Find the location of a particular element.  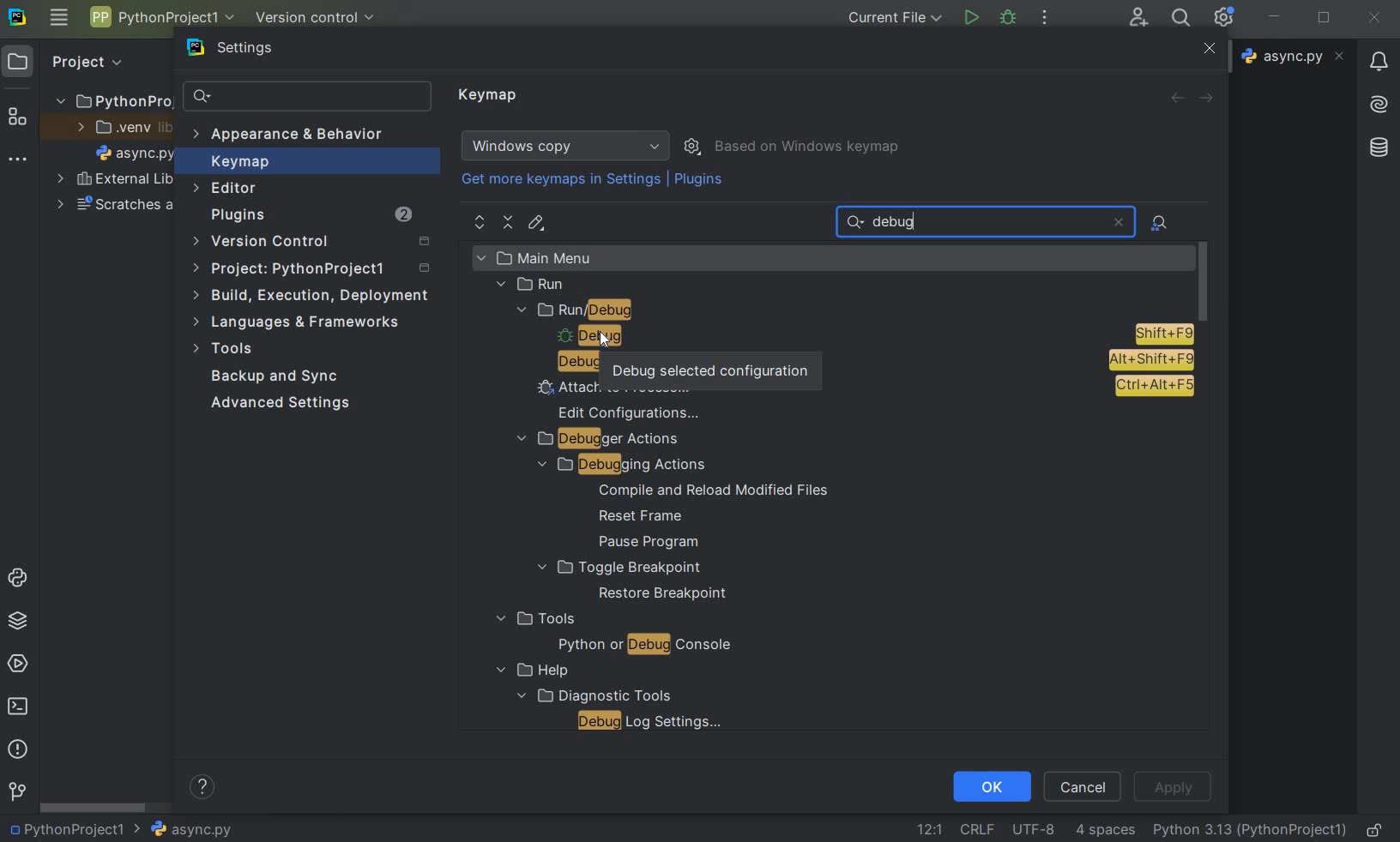

tools is located at coordinates (226, 351).